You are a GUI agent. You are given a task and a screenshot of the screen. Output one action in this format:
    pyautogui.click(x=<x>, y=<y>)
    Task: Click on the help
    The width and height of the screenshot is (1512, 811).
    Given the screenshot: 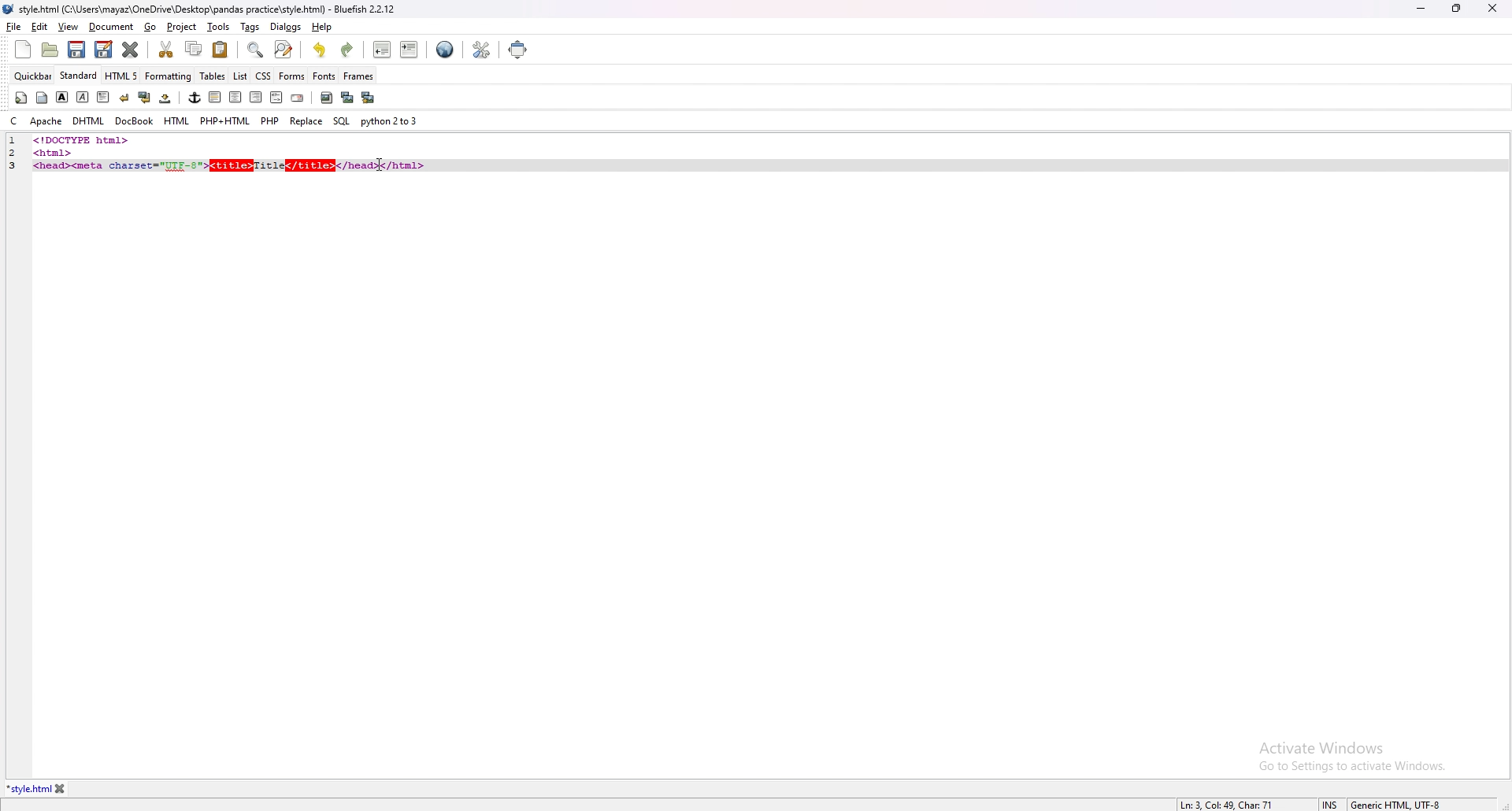 What is the action you would take?
    pyautogui.click(x=321, y=27)
    